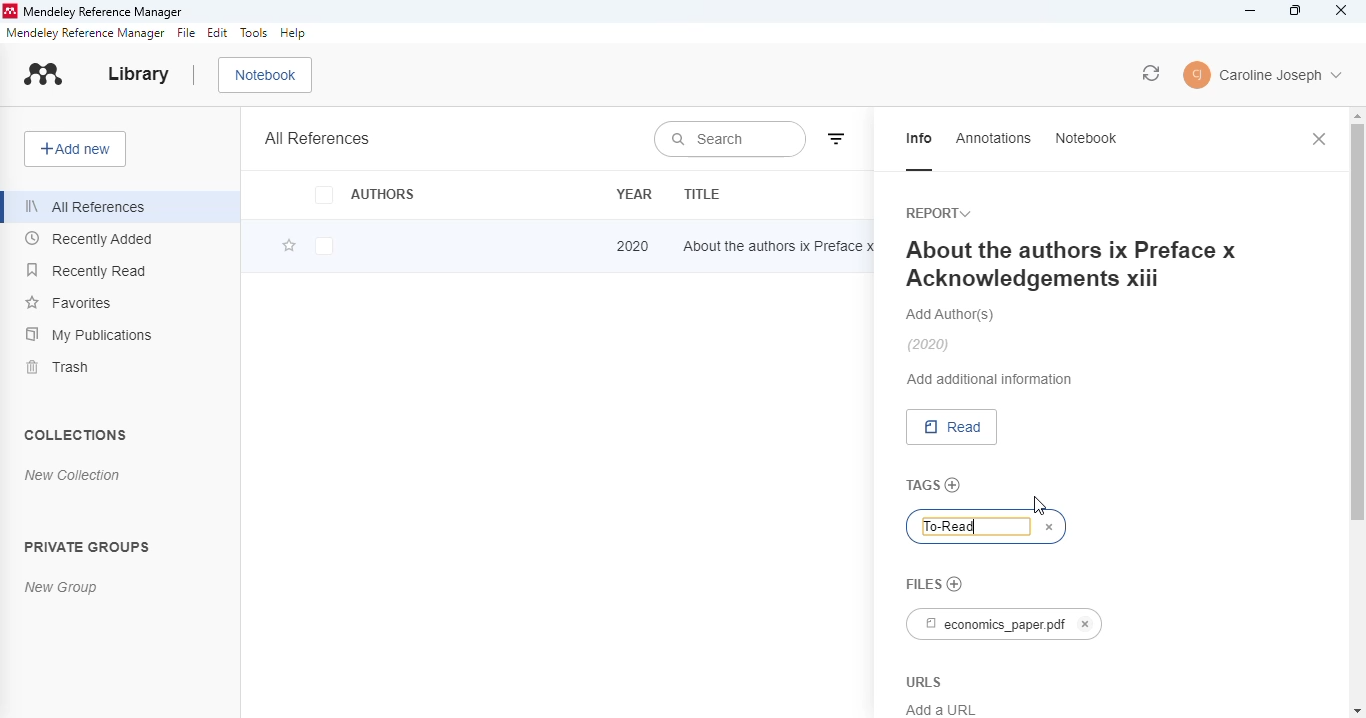 The image size is (1366, 718). Describe the element at coordinates (1040, 506) in the screenshot. I see `cursor` at that location.